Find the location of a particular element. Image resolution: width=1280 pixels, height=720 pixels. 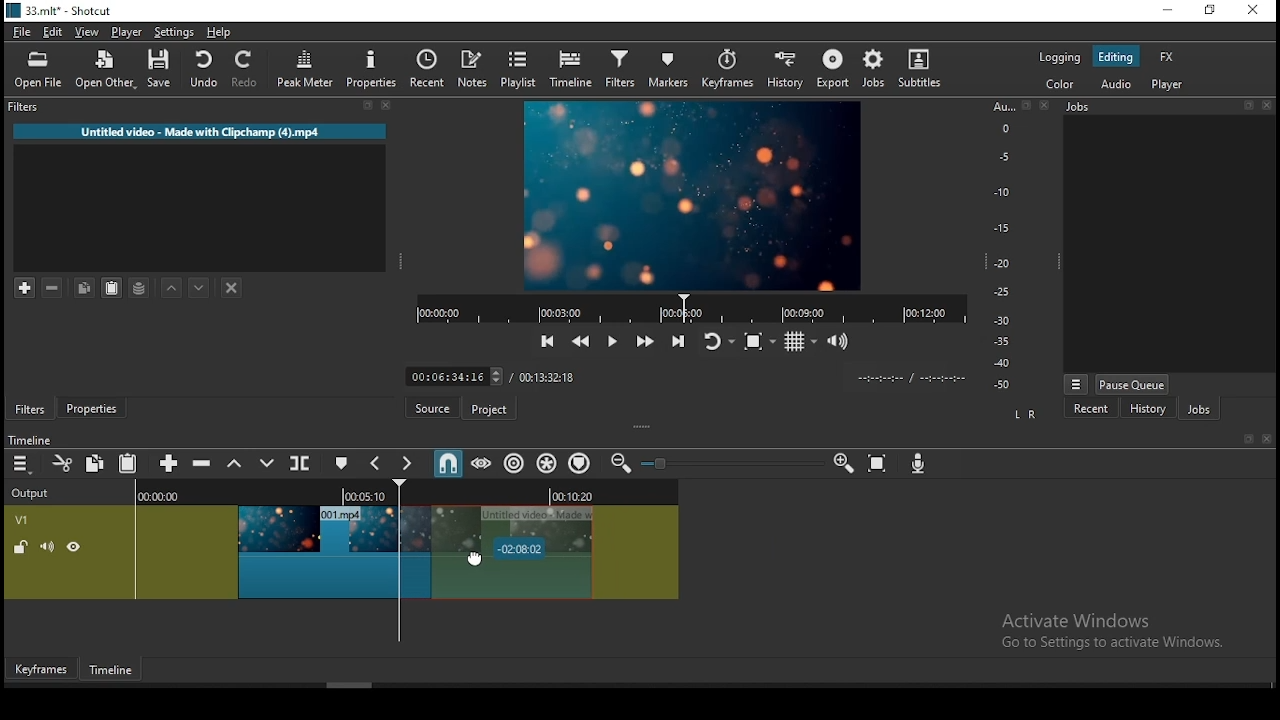

fx is located at coordinates (1167, 58).